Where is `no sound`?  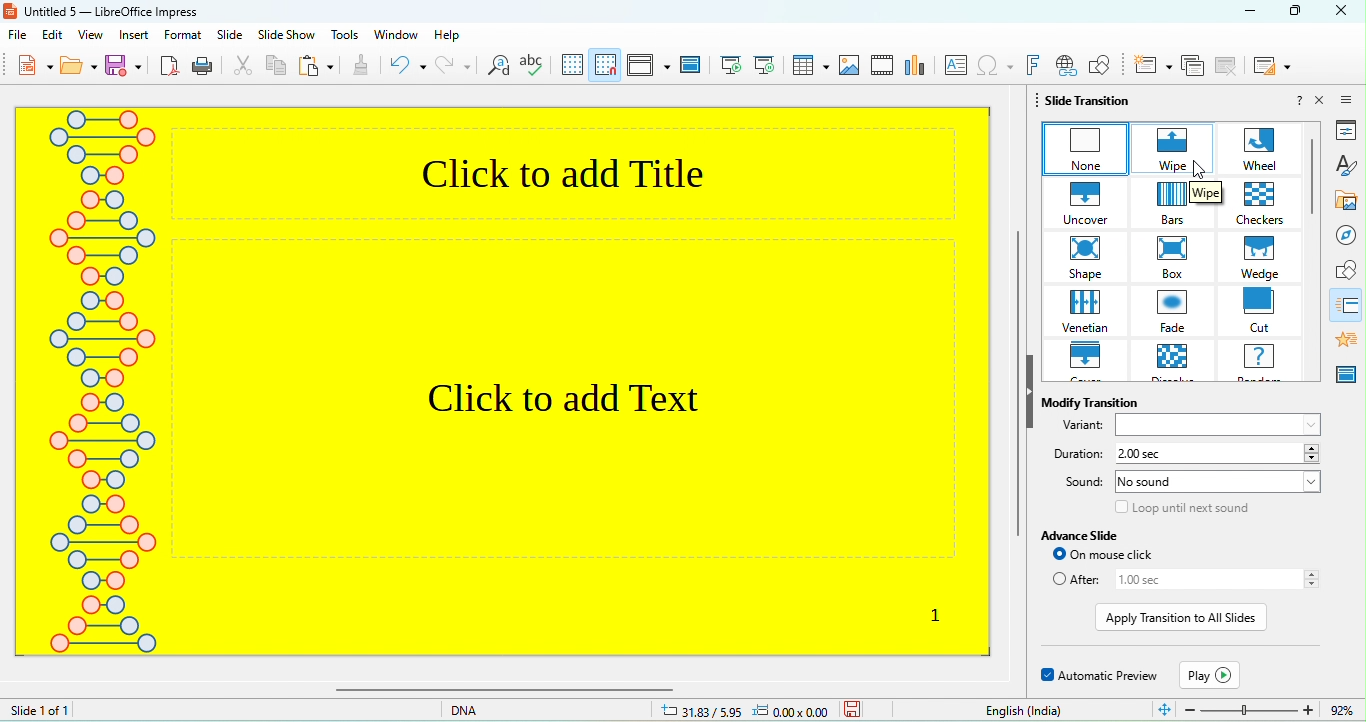
no sound is located at coordinates (1218, 483).